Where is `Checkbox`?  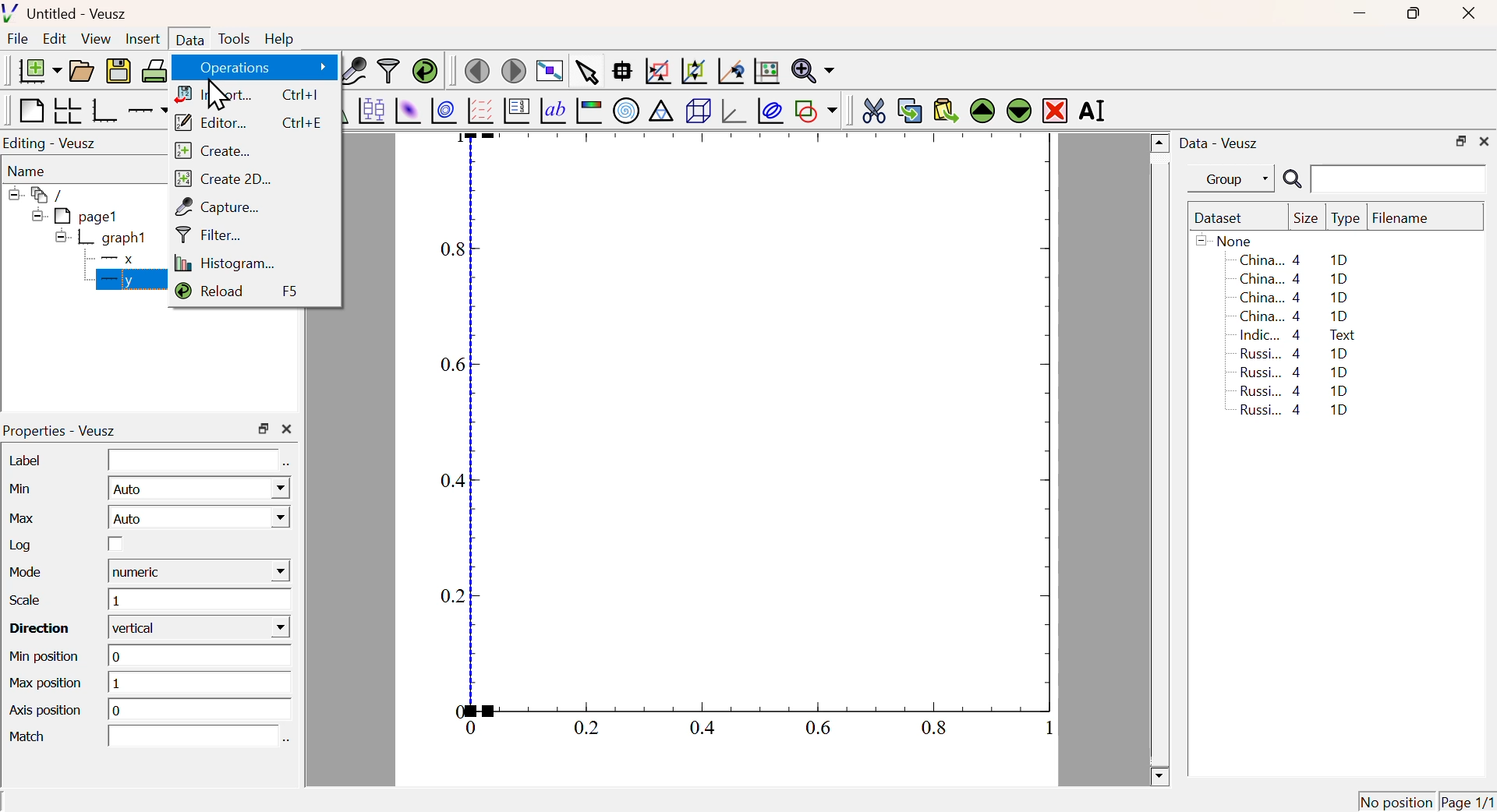 Checkbox is located at coordinates (115, 544).